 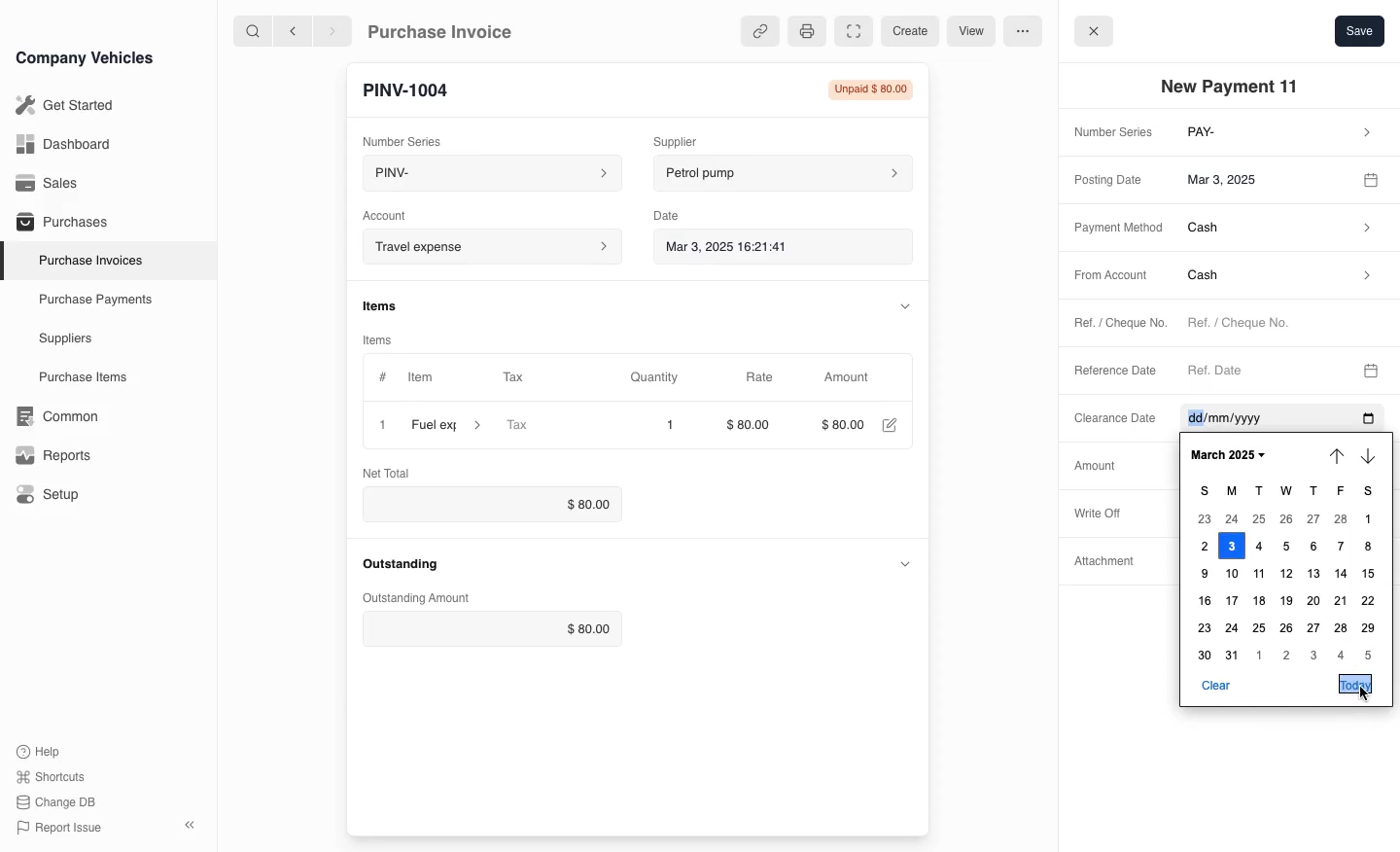 I want to click on mar 3, 2025, so click(x=1262, y=178).